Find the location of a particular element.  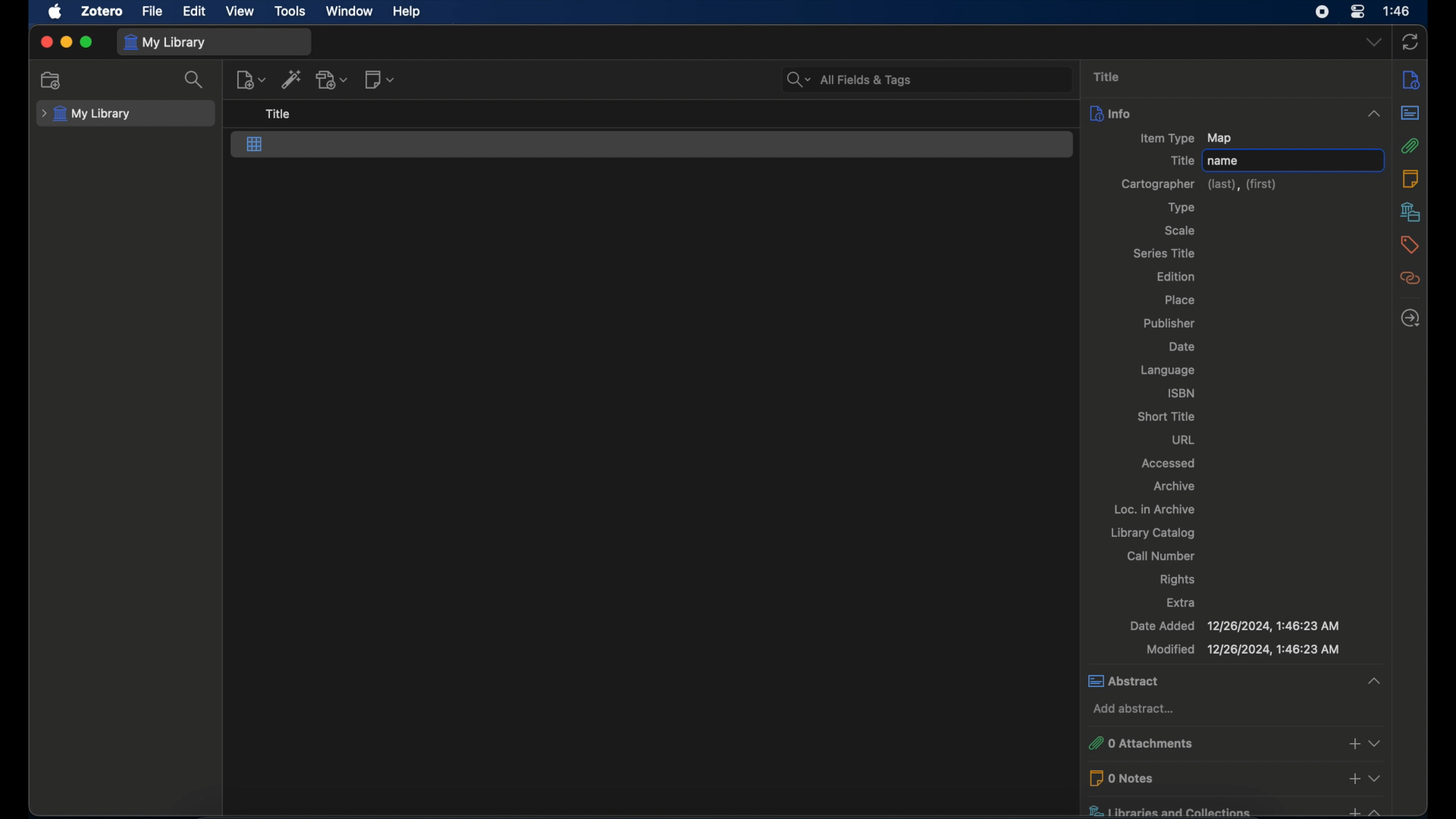

info is located at coordinates (1411, 81).